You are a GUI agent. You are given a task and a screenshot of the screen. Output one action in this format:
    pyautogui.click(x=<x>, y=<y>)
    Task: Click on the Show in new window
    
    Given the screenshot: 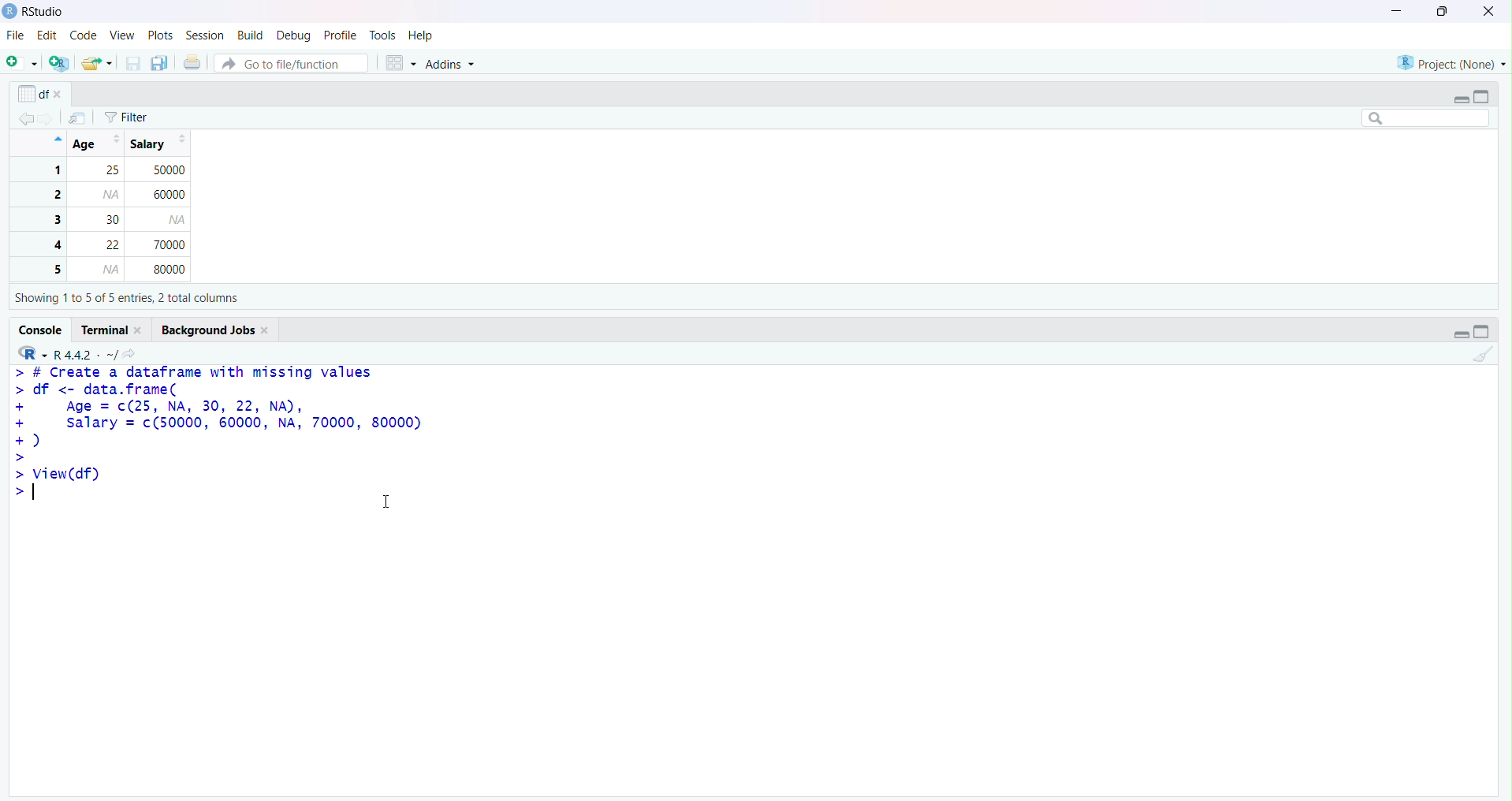 What is the action you would take?
    pyautogui.click(x=83, y=117)
    